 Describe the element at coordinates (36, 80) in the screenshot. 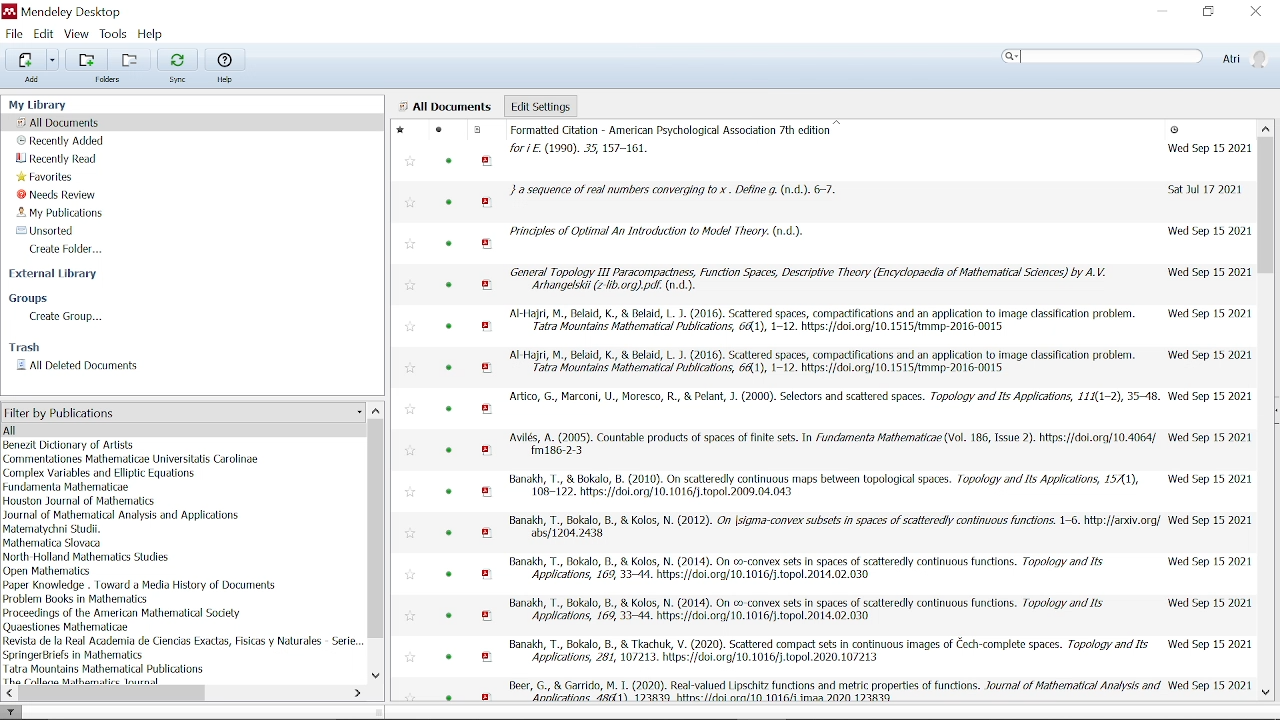

I see `Add` at that location.